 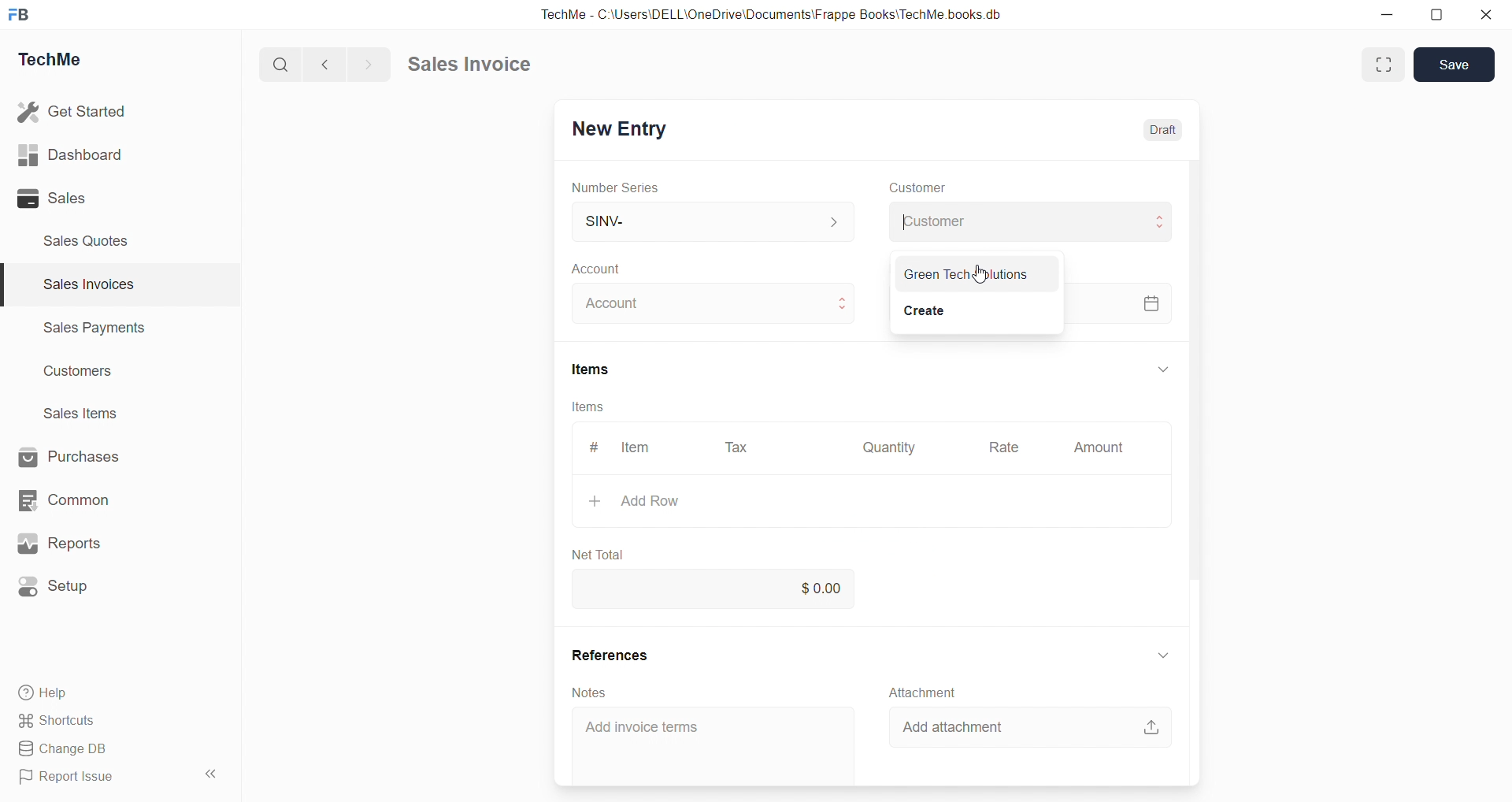 What do you see at coordinates (468, 63) in the screenshot?
I see `Sales invoice` at bounding box center [468, 63].